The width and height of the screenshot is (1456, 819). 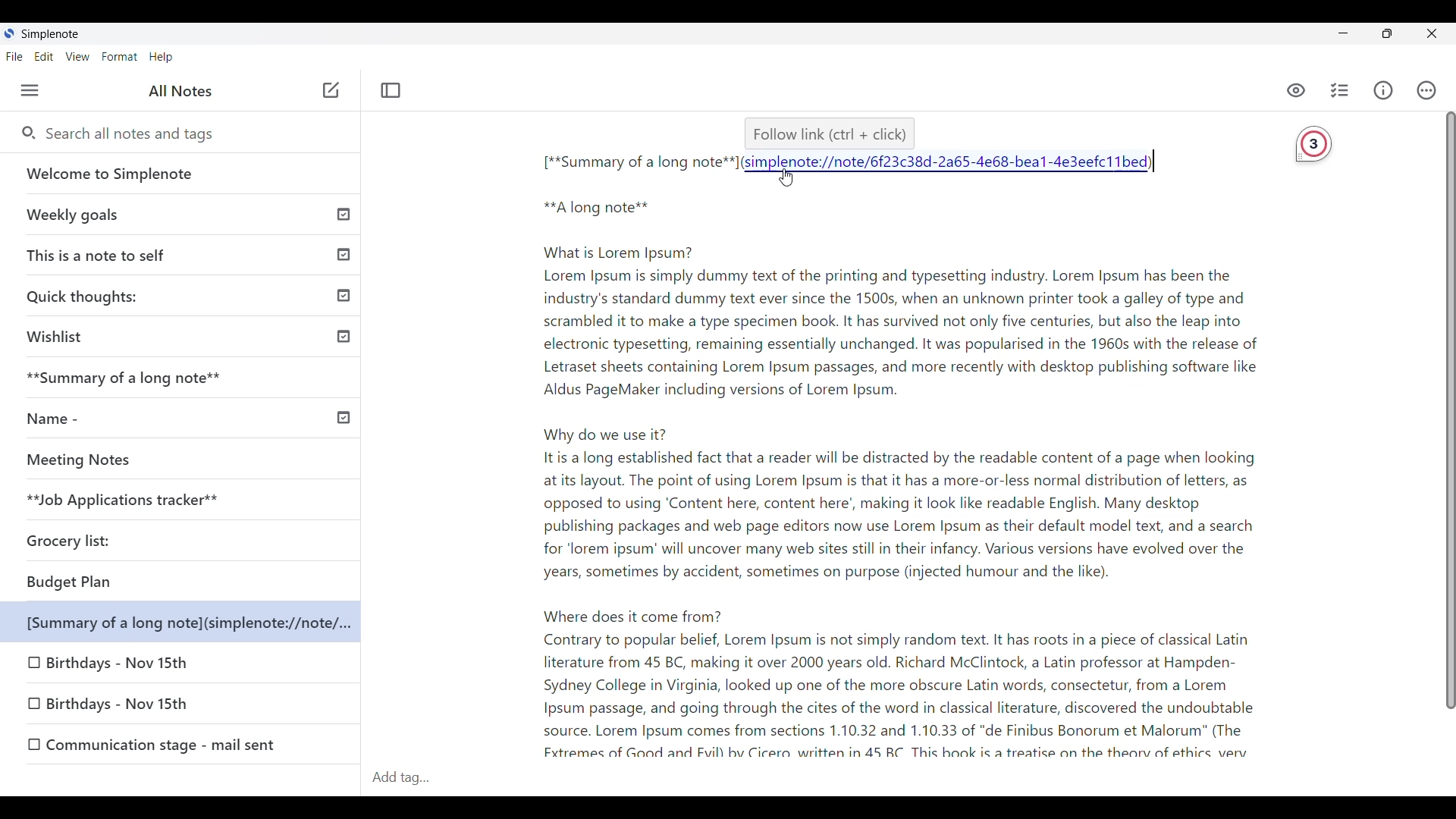 What do you see at coordinates (30, 90) in the screenshot?
I see `Menu` at bounding box center [30, 90].